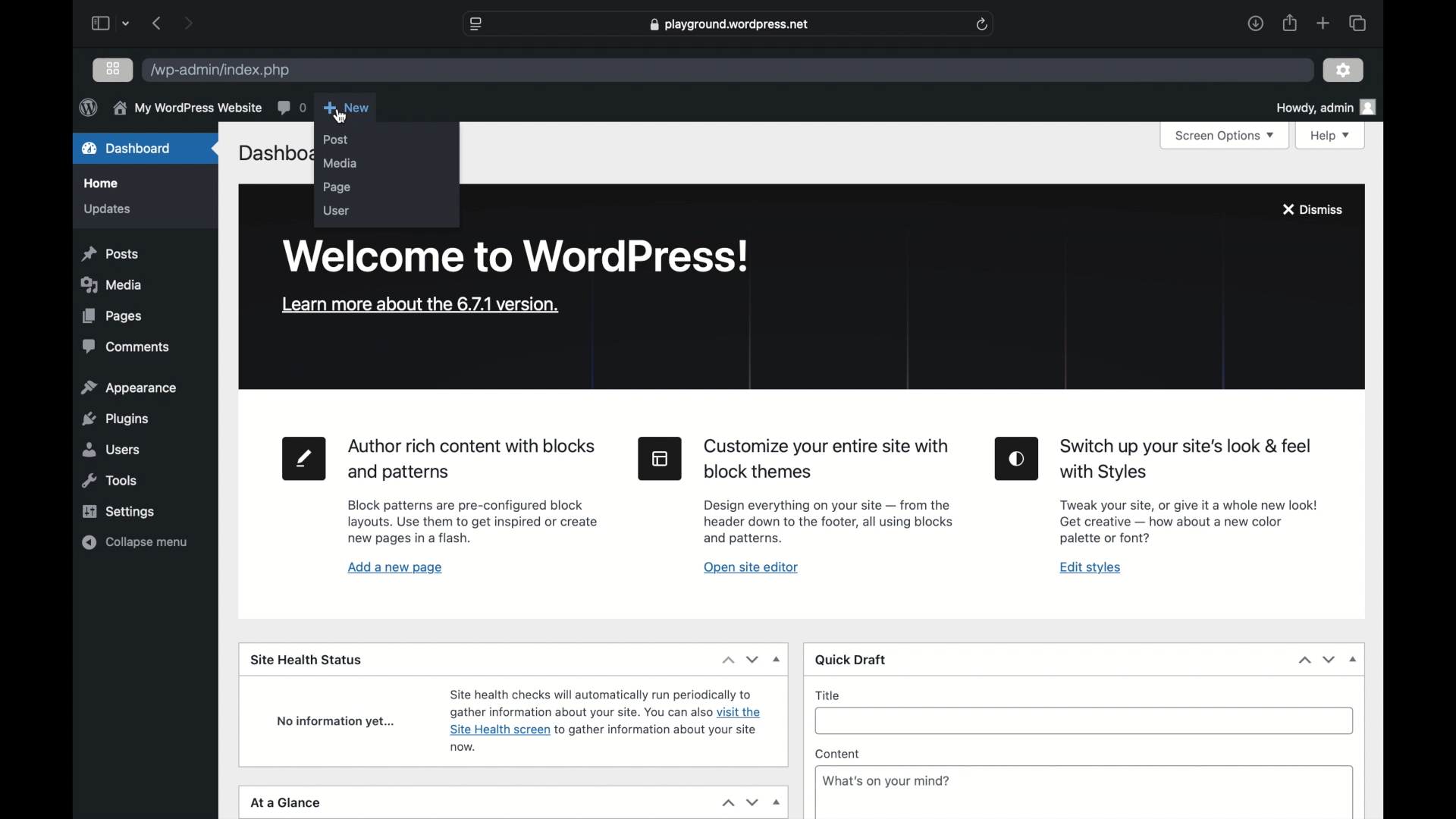  Describe the element at coordinates (751, 568) in the screenshot. I see `open site editor` at that location.